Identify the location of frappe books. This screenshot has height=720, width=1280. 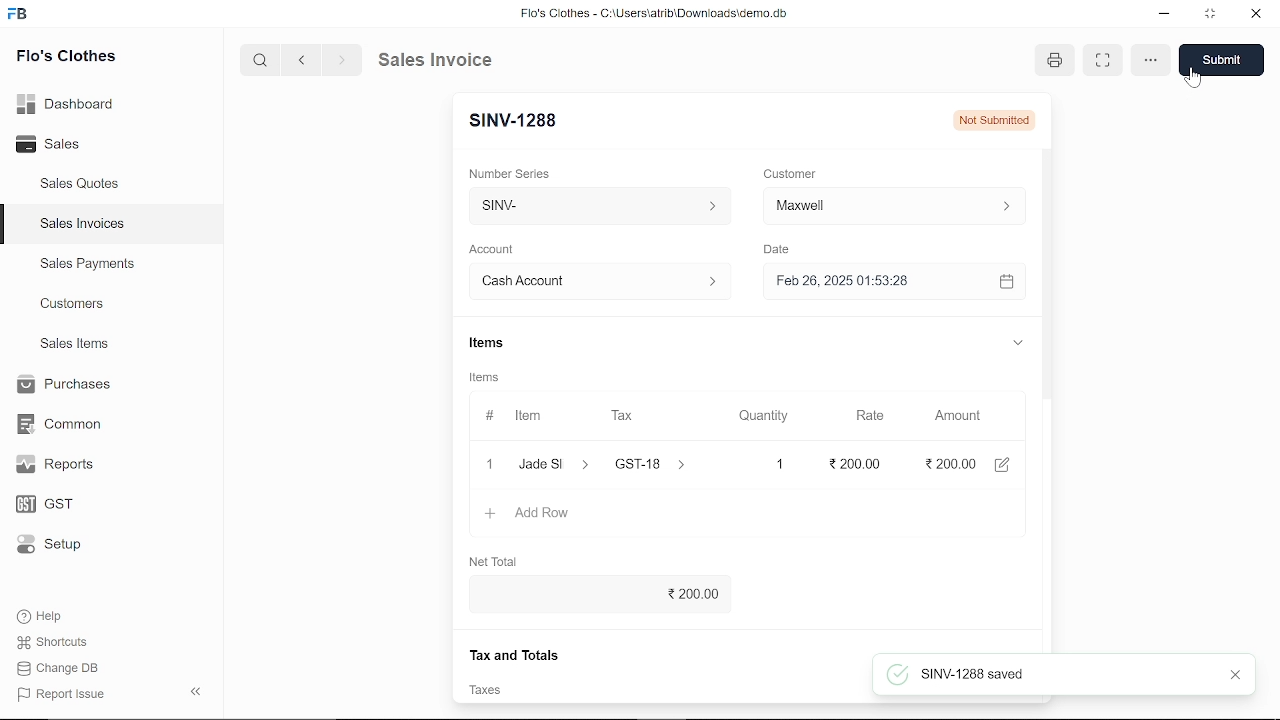
(18, 16).